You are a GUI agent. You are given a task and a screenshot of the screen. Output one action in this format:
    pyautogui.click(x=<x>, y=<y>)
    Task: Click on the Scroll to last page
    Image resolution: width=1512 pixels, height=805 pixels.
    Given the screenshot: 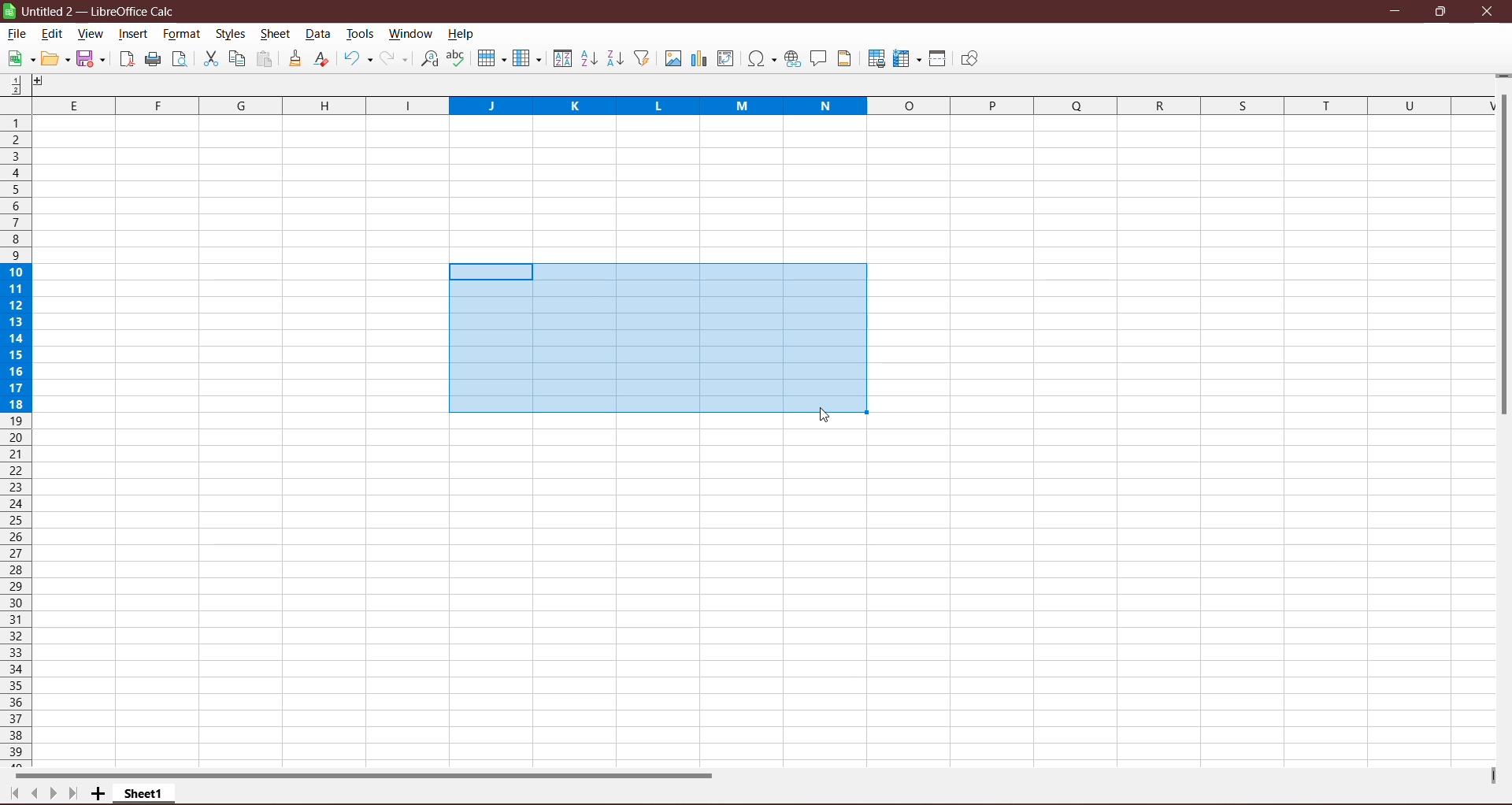 What is the action you would take?
    pyautogui.click(x=72, y=795)
    